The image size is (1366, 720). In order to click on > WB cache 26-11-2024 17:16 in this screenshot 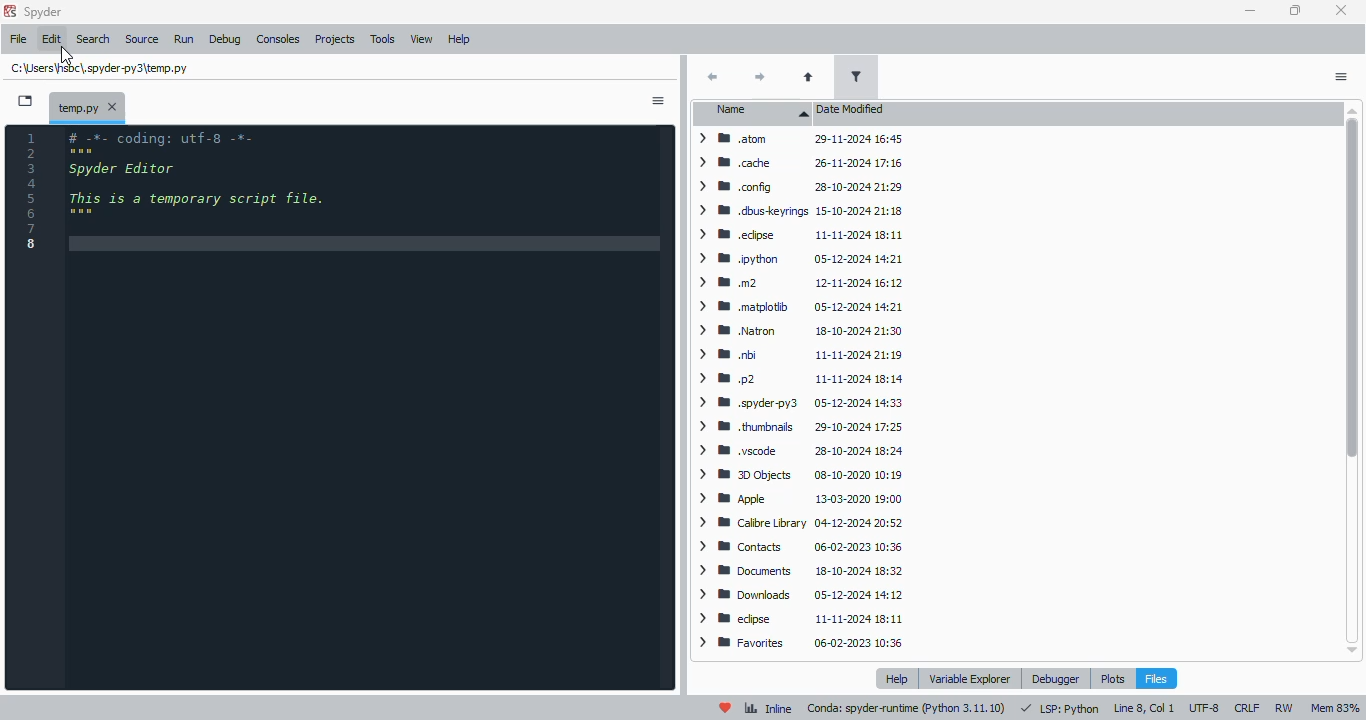, I will do `click(800, 164)`.